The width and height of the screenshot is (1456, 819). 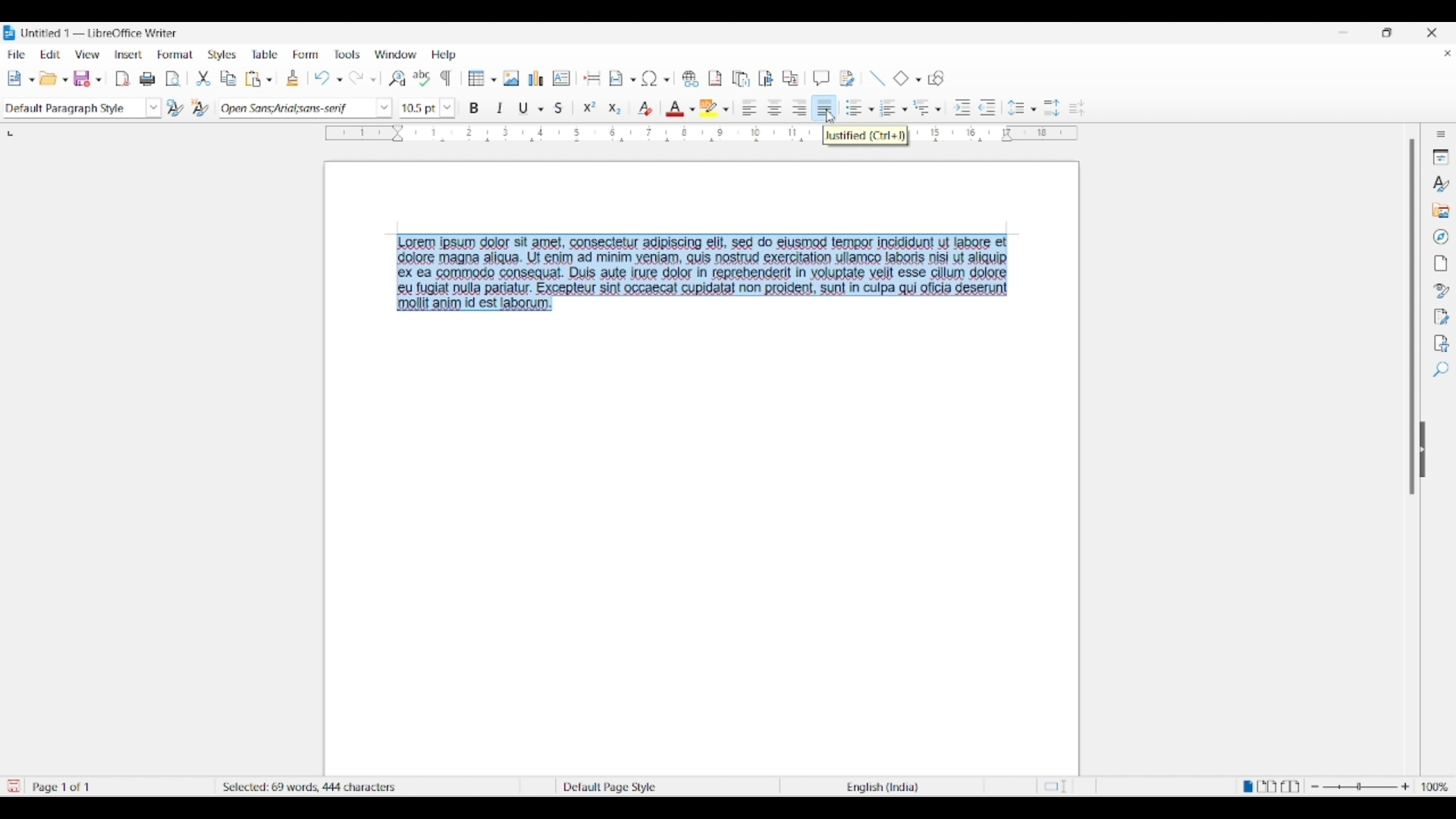 What do you see at coordinates (202, 108) in the screenshot?
I see `New style from selection` at bounding box center [202, 108].